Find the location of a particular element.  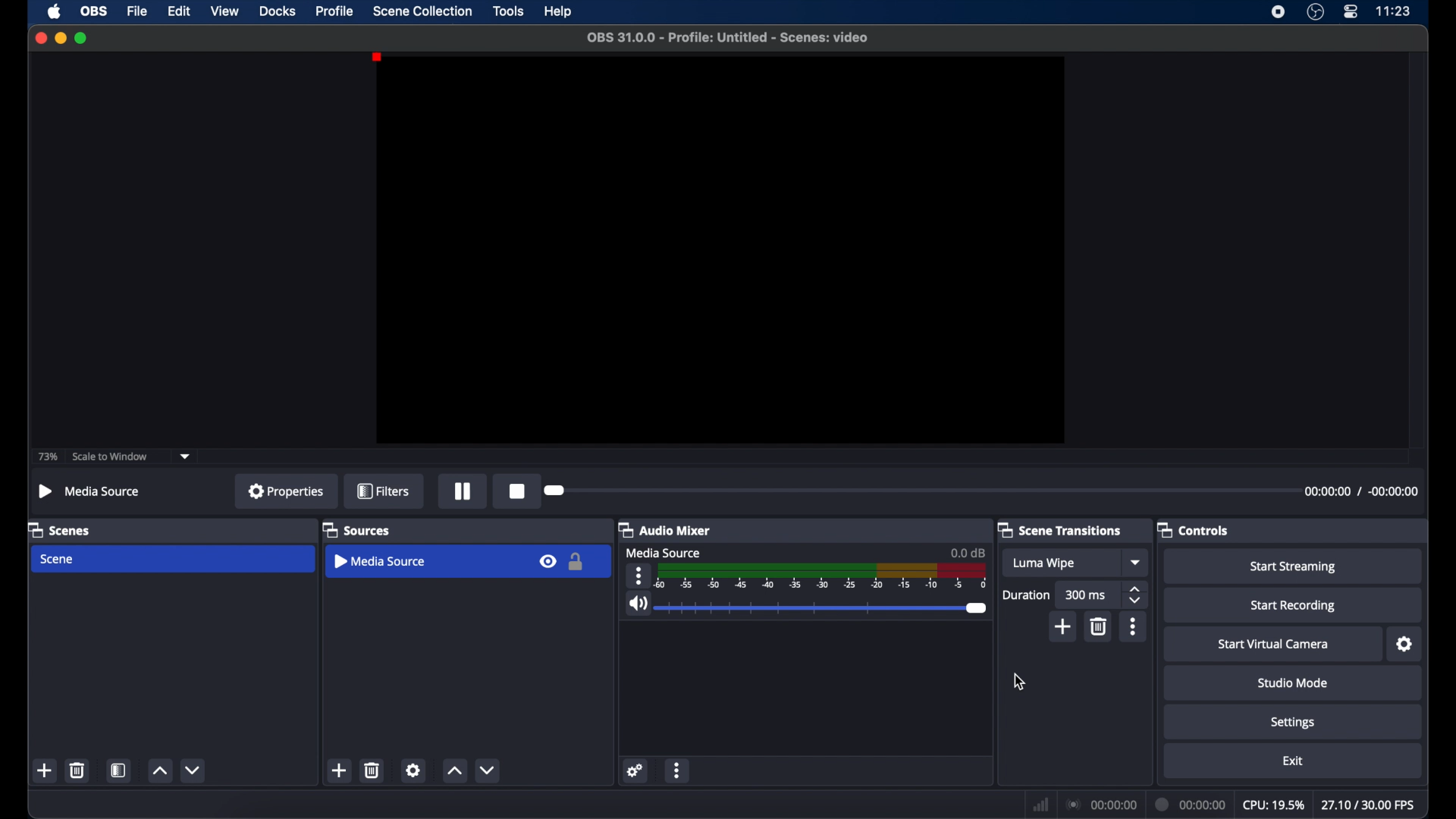

dropdown is located at coordinates (1137, 562).